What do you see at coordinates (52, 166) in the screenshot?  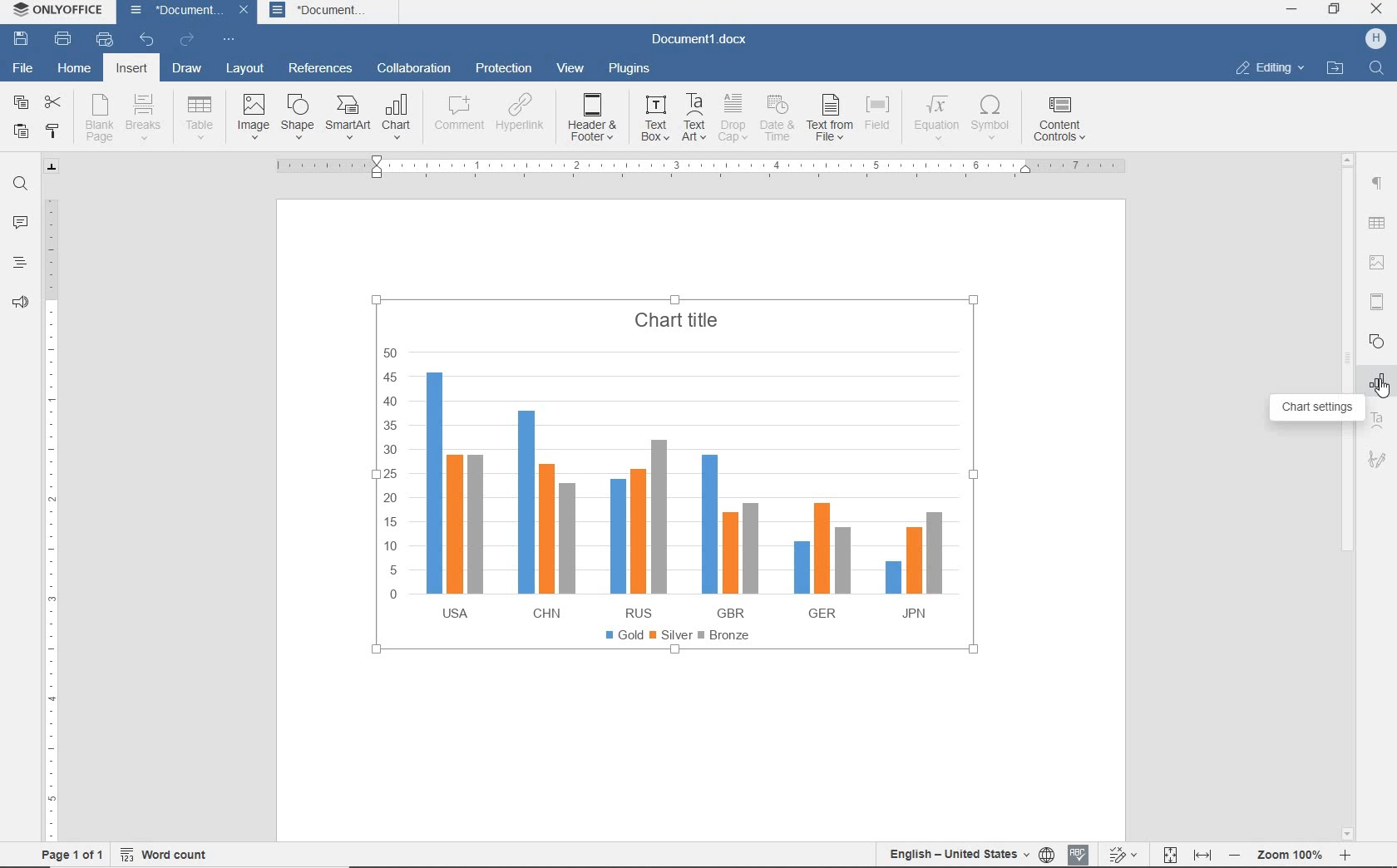 I see `tab stop` at bounding box center [52, 166].